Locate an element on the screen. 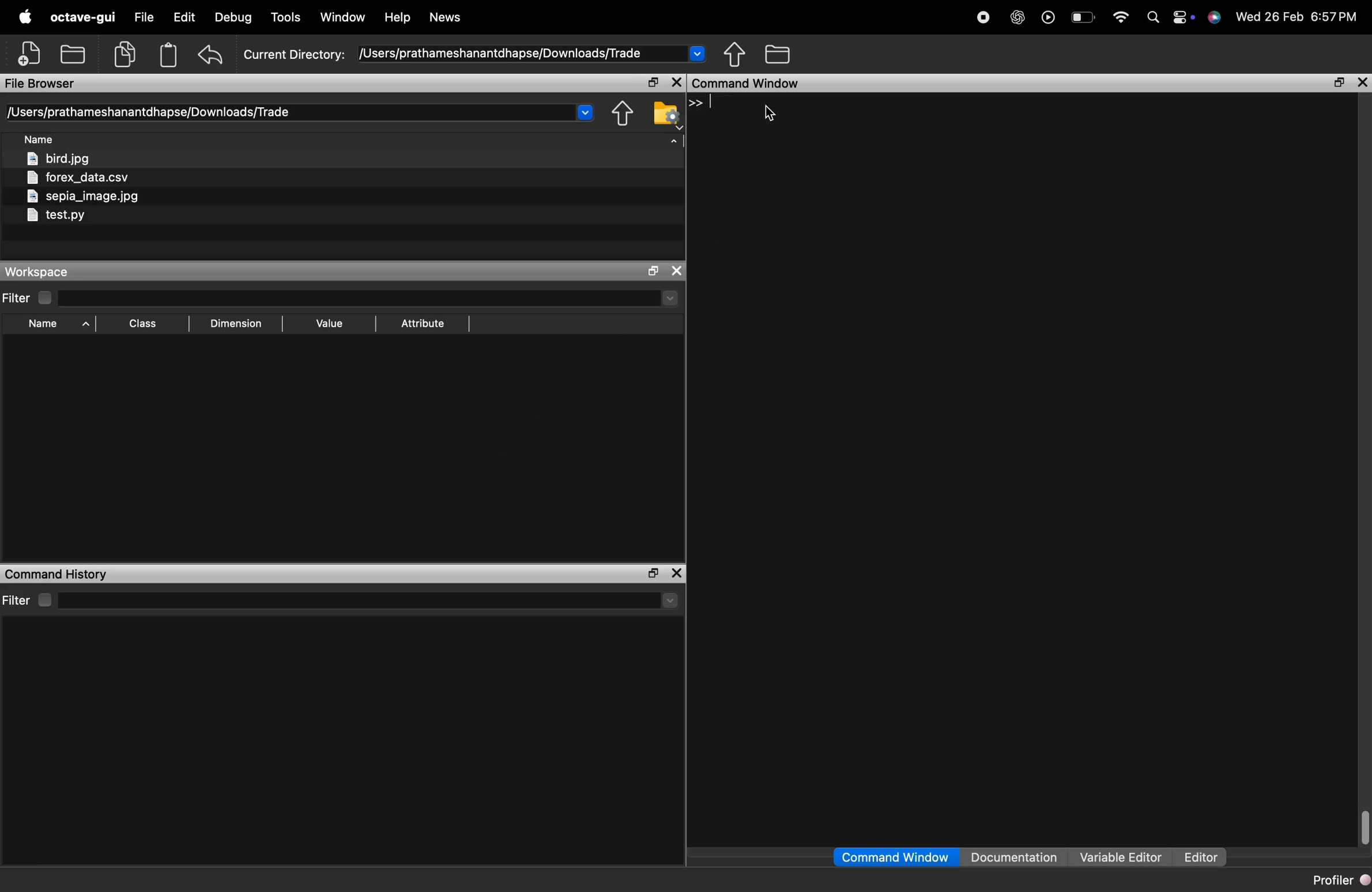 The height and width of the screenshot is (892, 1372). edit is located at coordinates (185, 17).